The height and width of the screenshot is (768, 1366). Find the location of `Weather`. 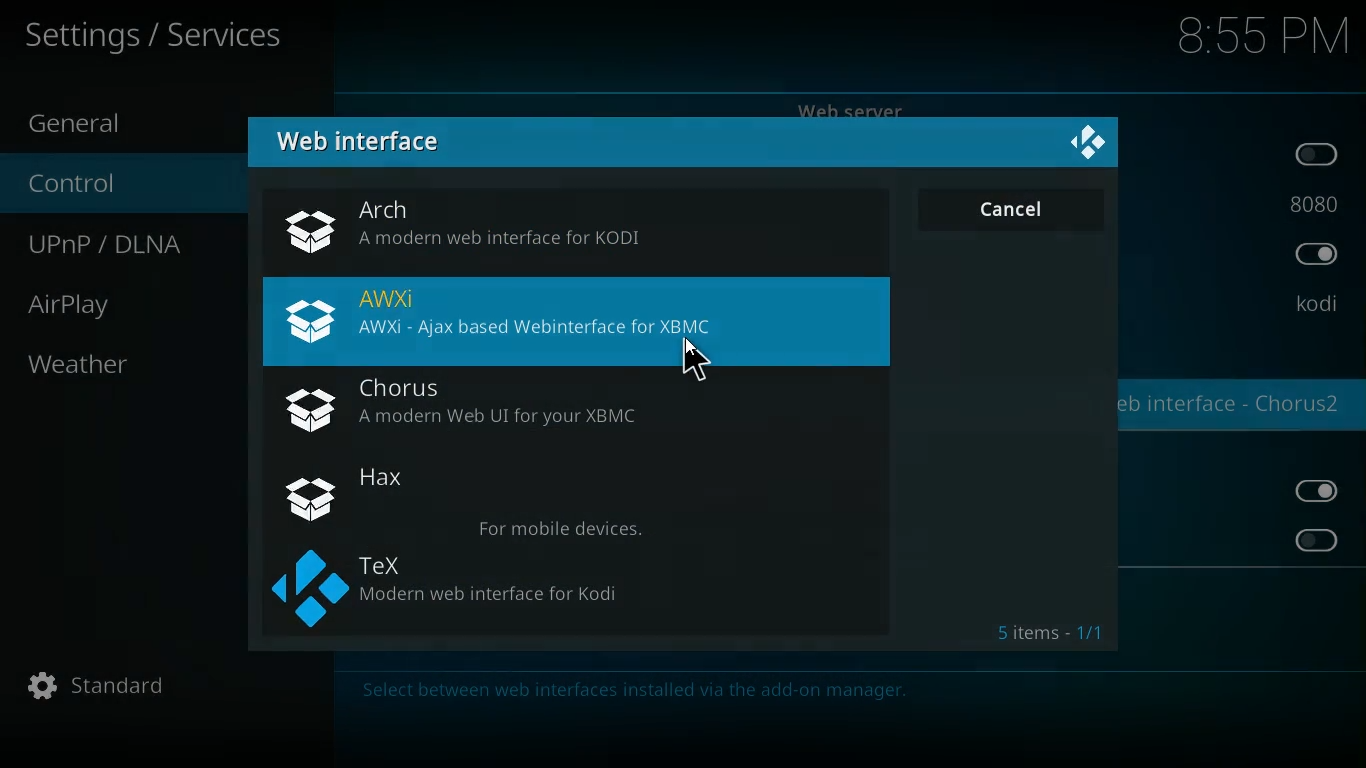

Weather is located at coordinates (82, 364).